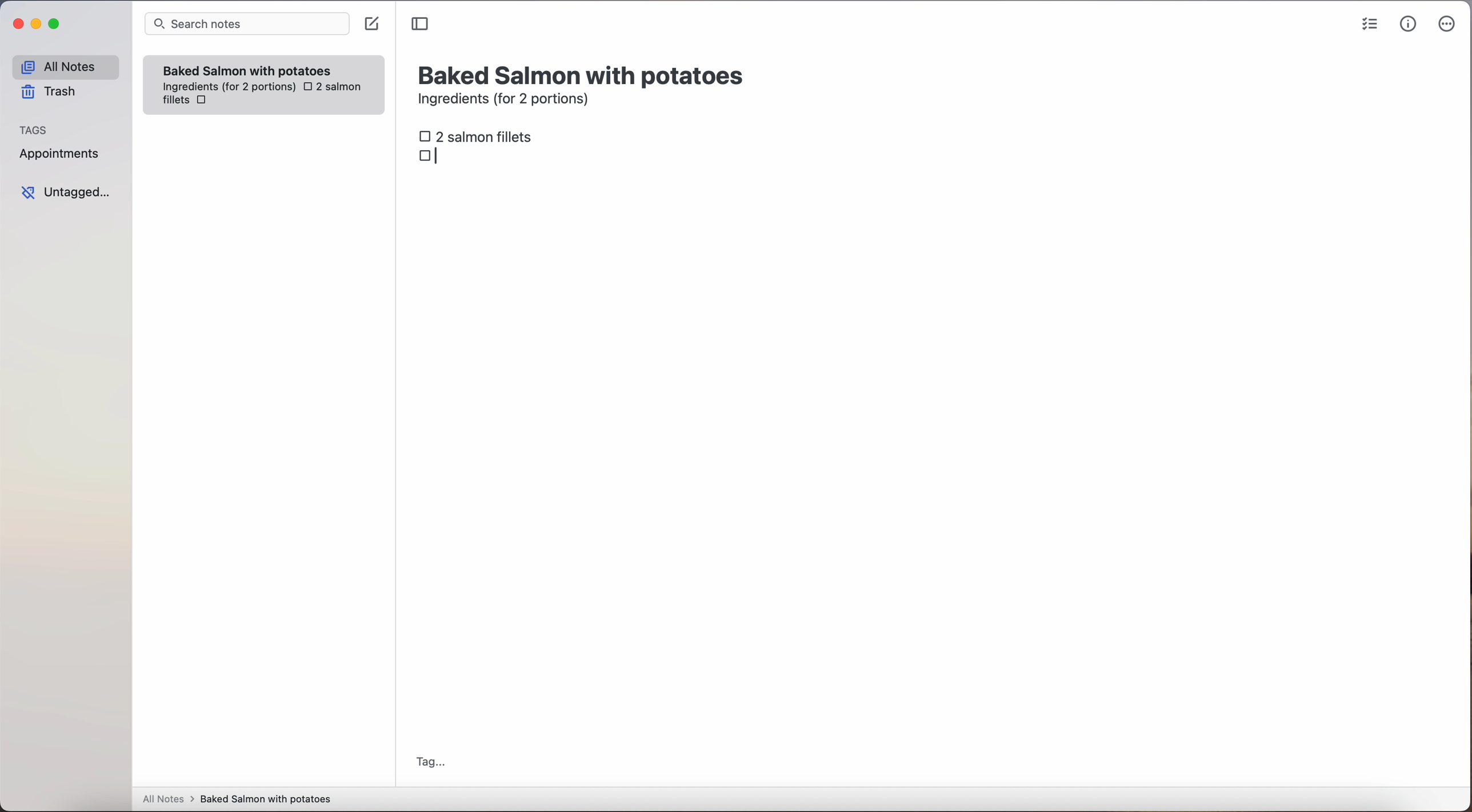 This screenshot has width=1472, height=812. I want to click on all notes, so click(65, 66).